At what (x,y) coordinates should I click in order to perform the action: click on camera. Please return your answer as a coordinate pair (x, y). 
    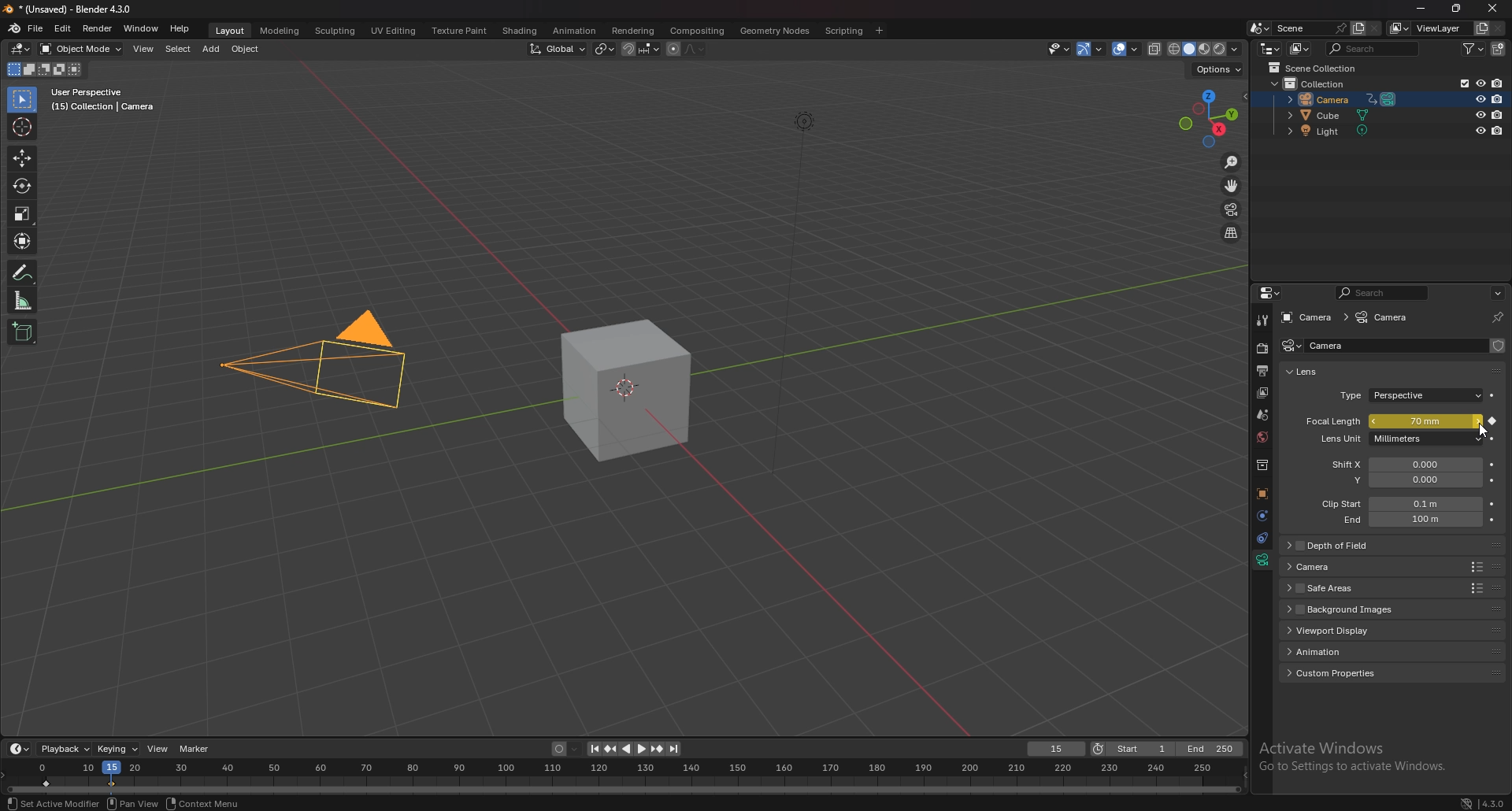
    Looking at the image, I should click on (1351, 566).